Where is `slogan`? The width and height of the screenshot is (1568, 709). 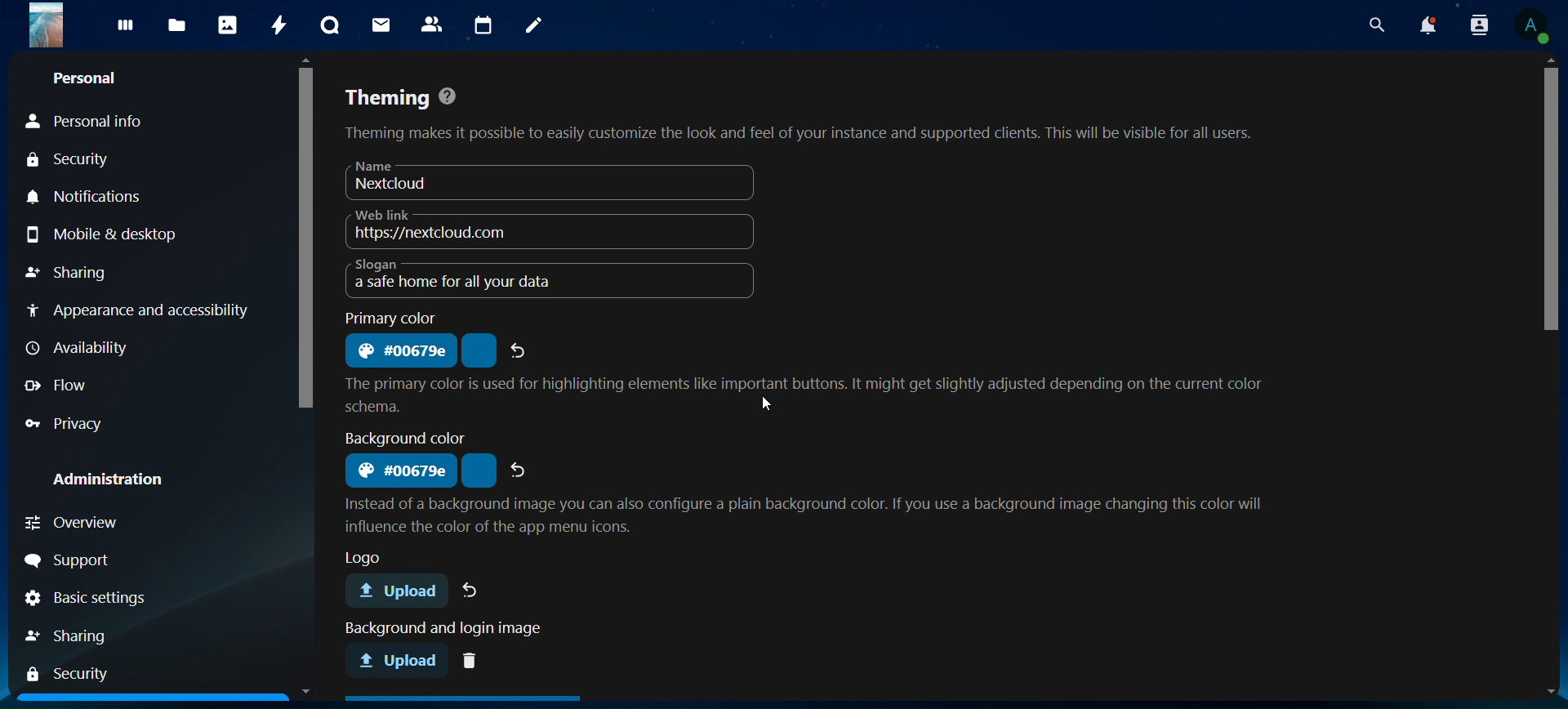
slogan is located at coordinates (506, 279).